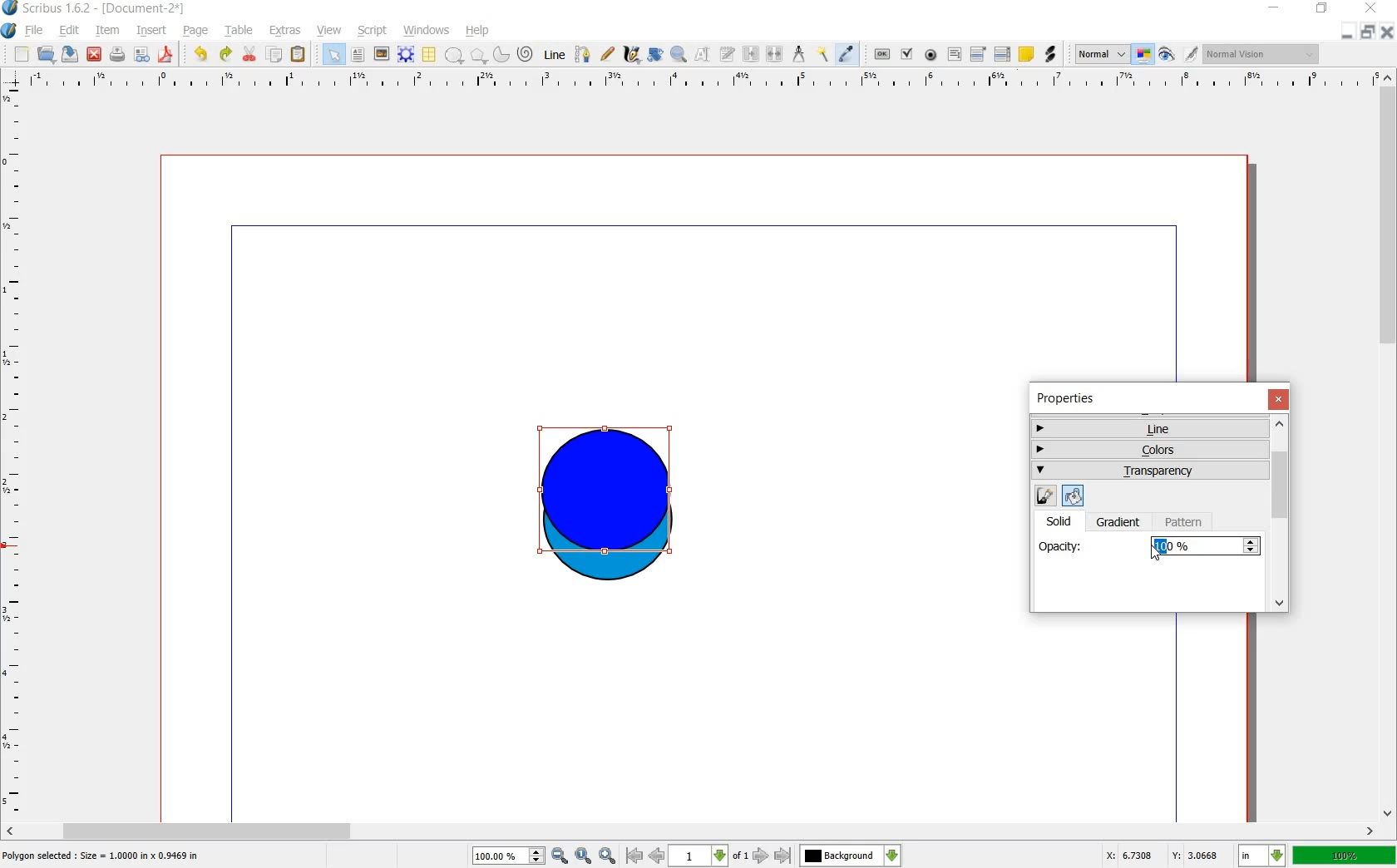 The image size is (1397, 868). What do you see at coordinates (1151, 471) in the screenshot?
I see `transparency` at bounding box center [1151, 471].